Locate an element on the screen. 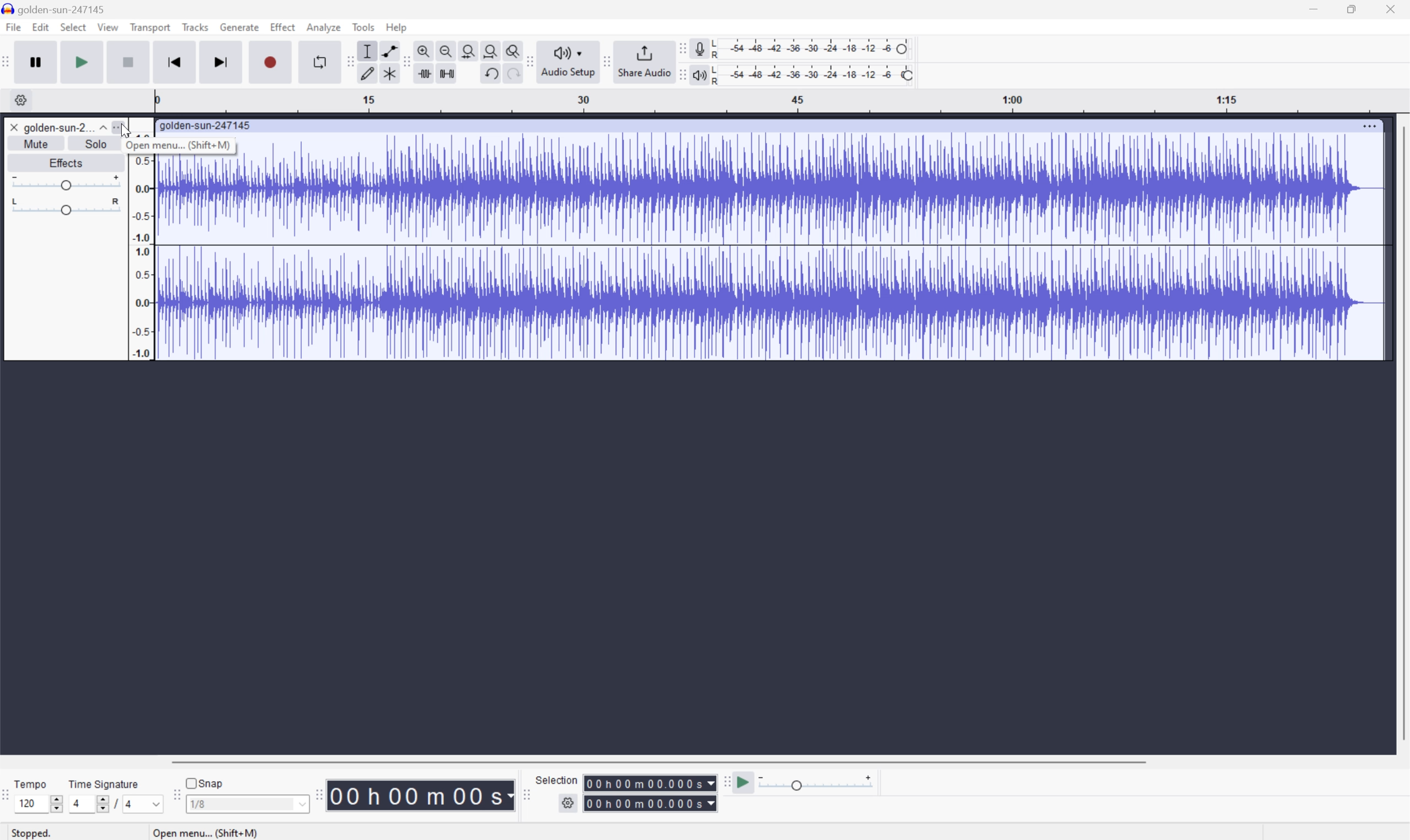  Analyze is located at coordinates (325, 28).